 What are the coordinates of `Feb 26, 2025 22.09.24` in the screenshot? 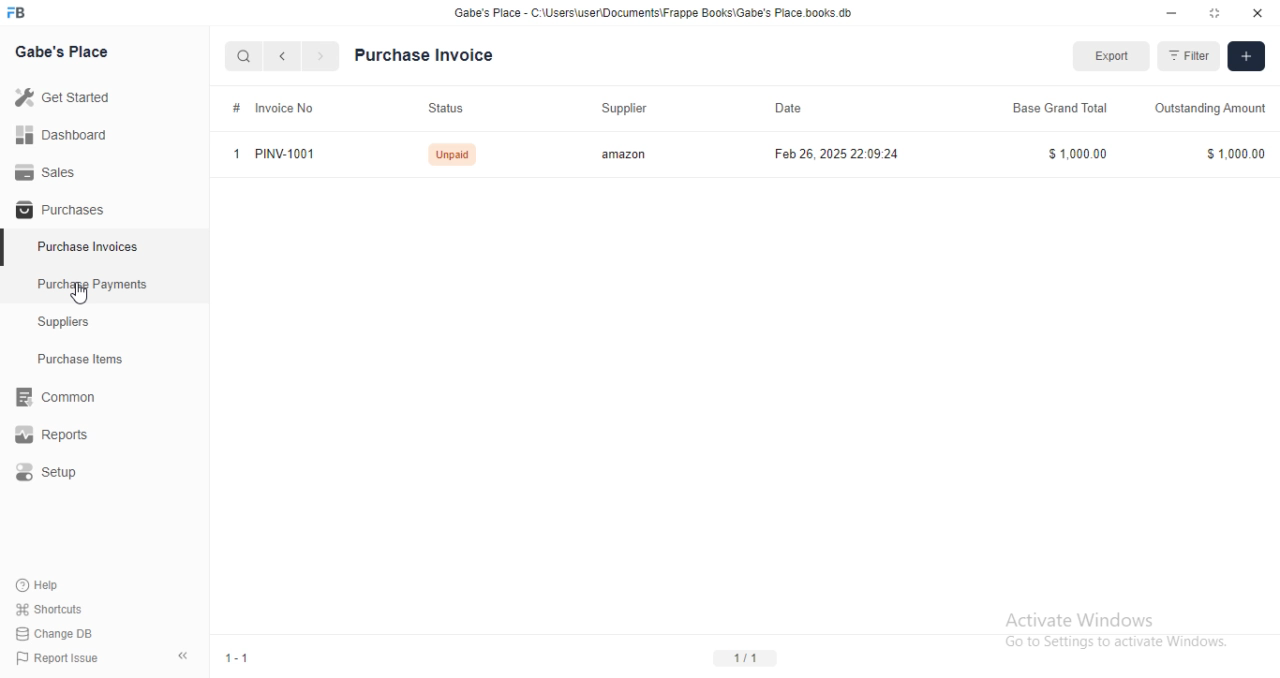 It's located at (838, 154).